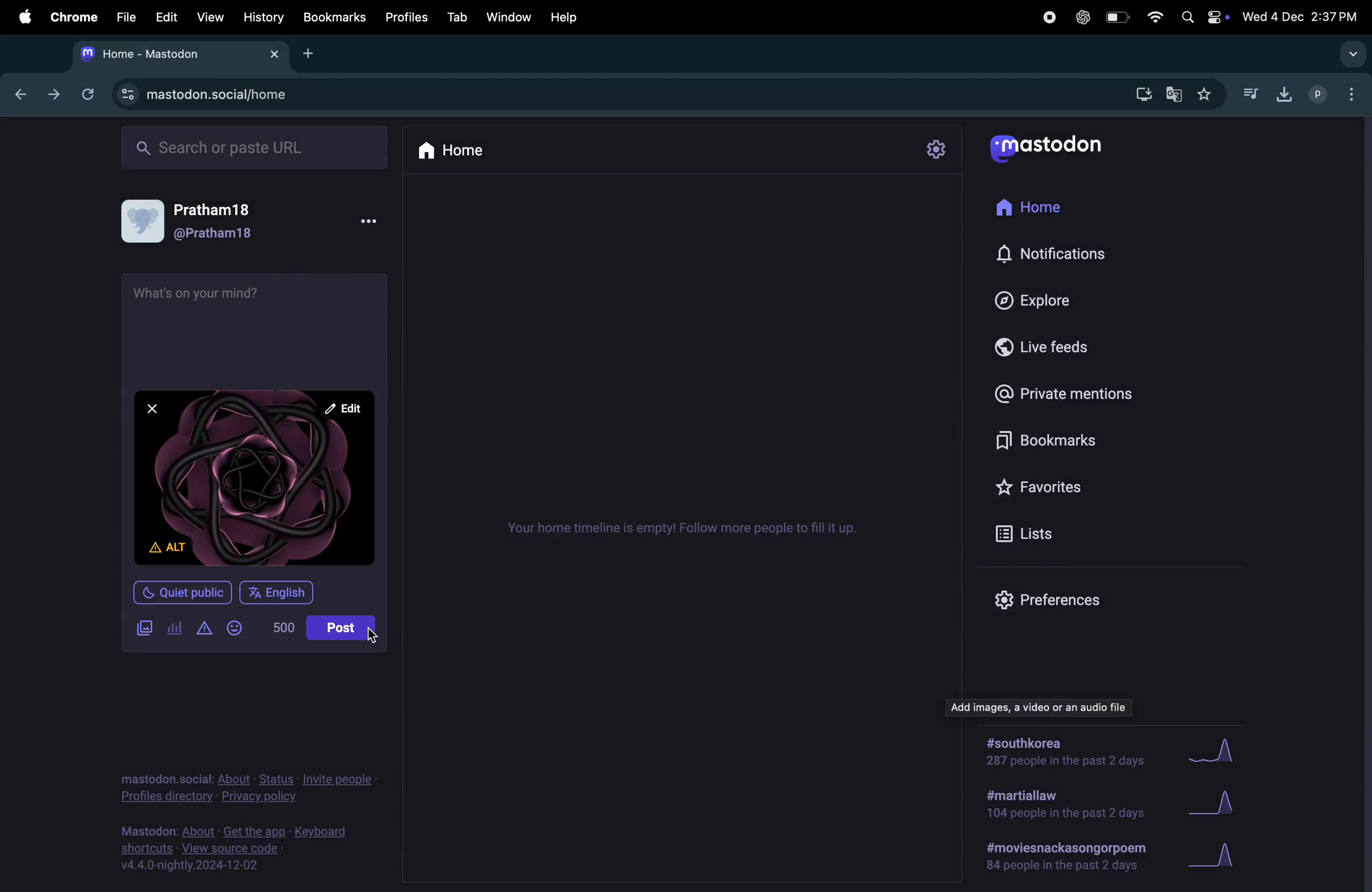 This screenshot has width=1372, height=892. I want to click on lists, so click(1034, 532).